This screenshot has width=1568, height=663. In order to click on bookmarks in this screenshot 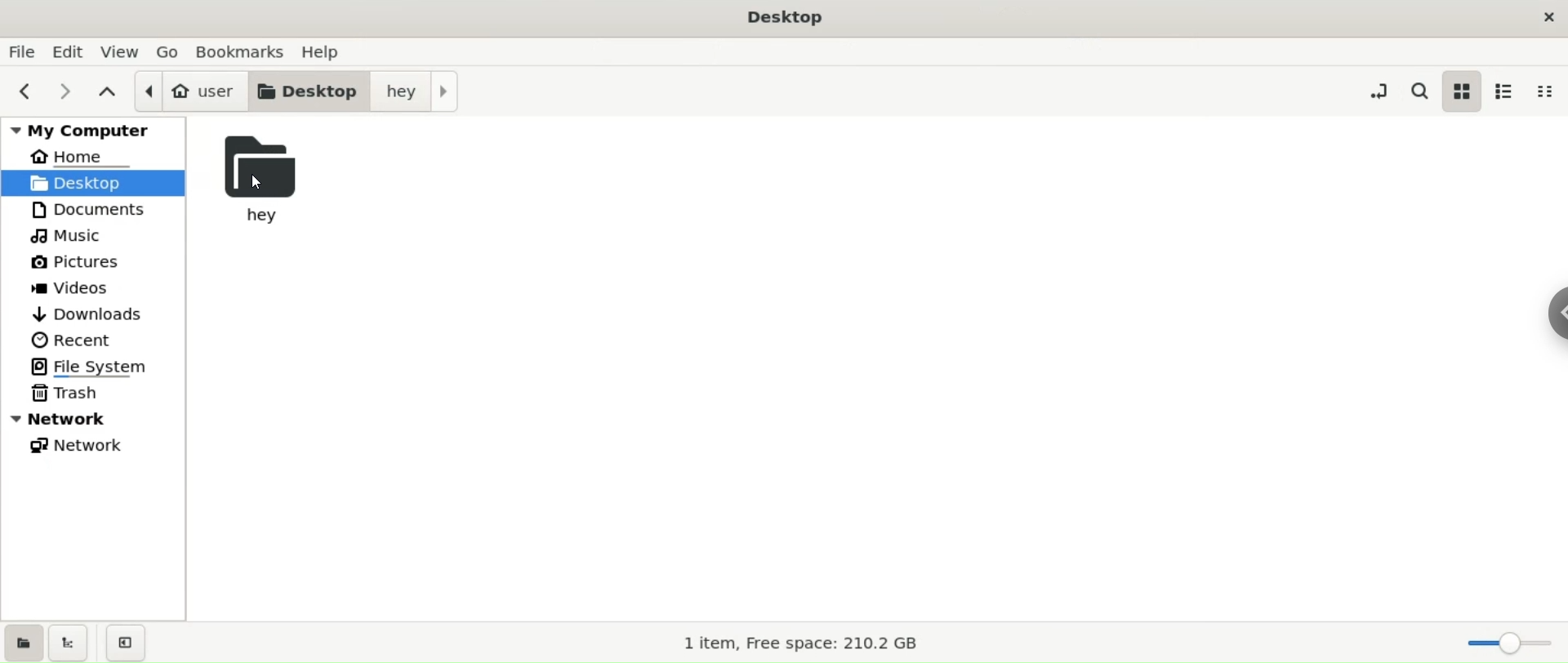, I will do `click(243, 51)`.